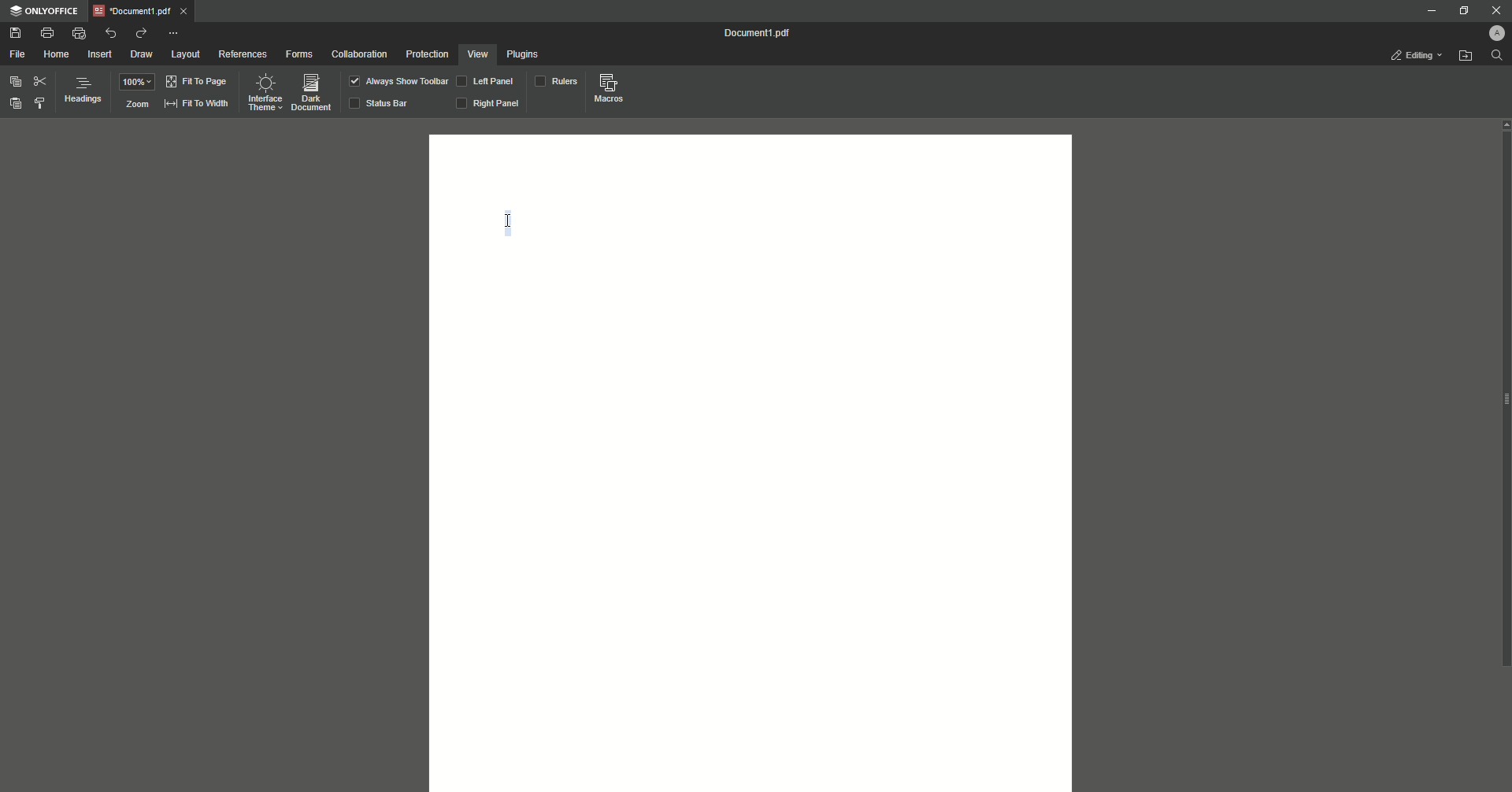  What do you see at coordinates (44, 11) in the screenshot?
I see `ONLYOFFICE` at bounding box center [44, 11].